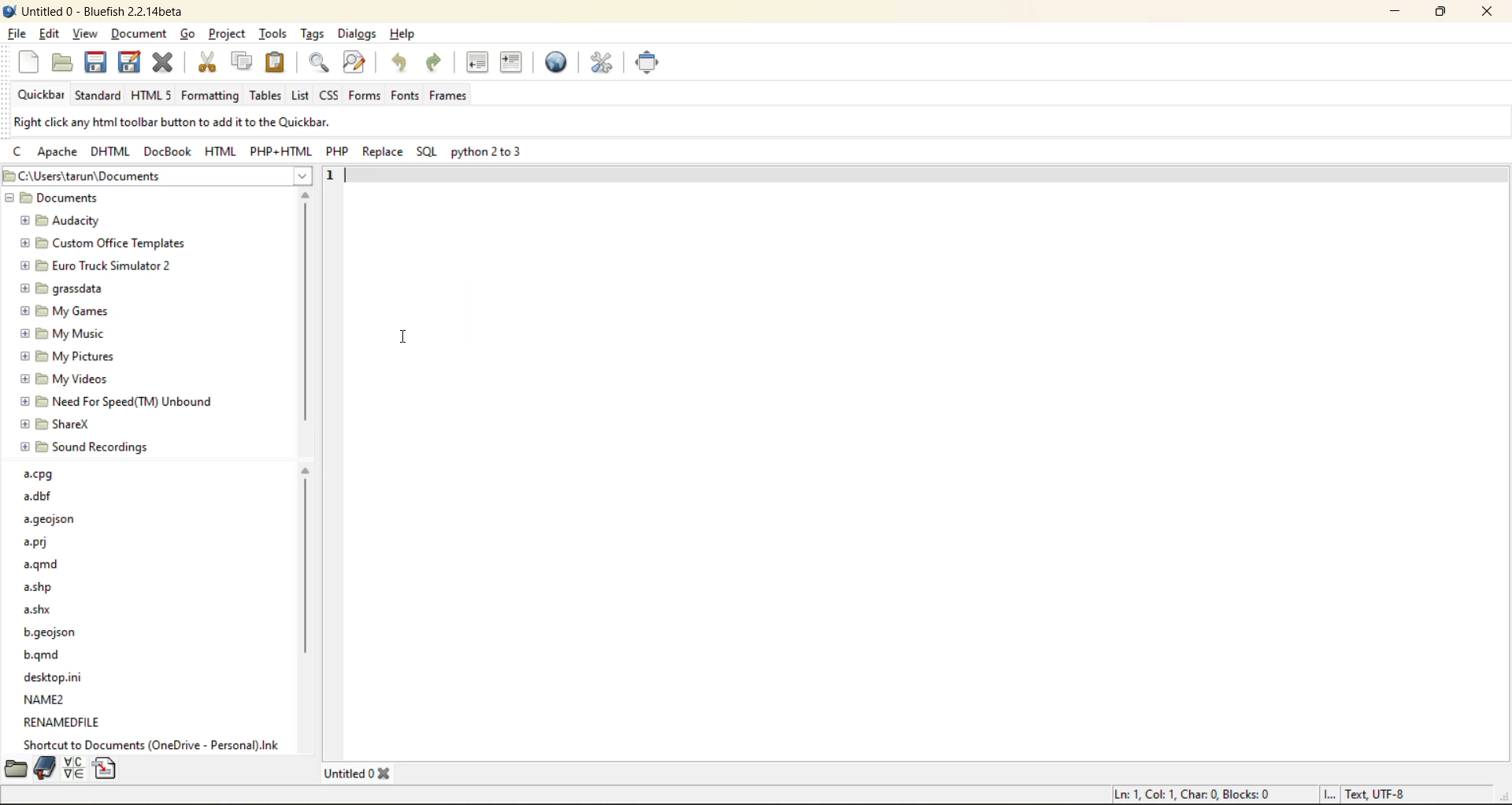 This screenshot has width=1512, height=805. Describe the element at coordinates (241, 61) in the screenshot. I see `copy` at that location.